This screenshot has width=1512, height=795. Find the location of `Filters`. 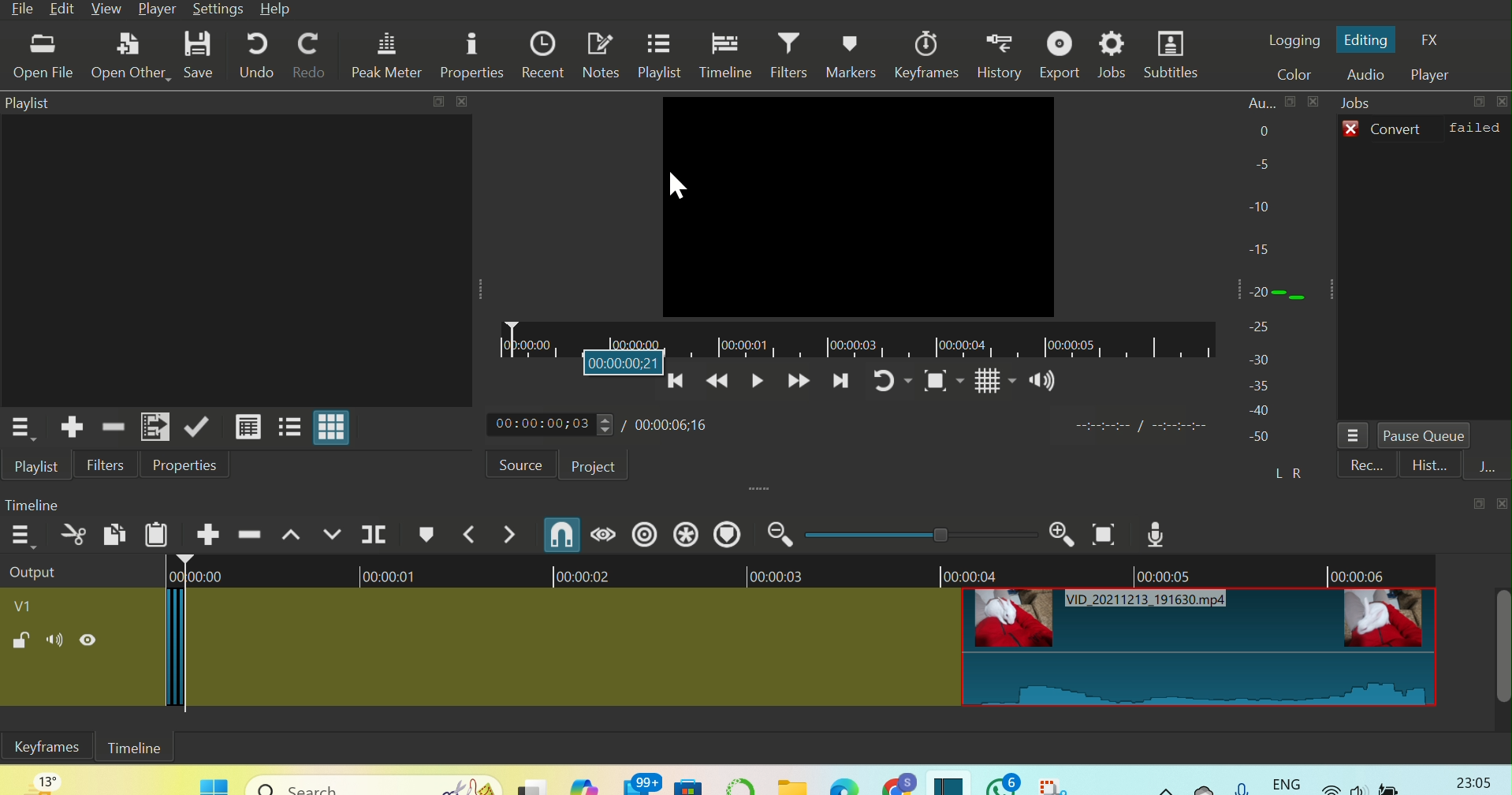

Filters is located at coordinates (791, 54).